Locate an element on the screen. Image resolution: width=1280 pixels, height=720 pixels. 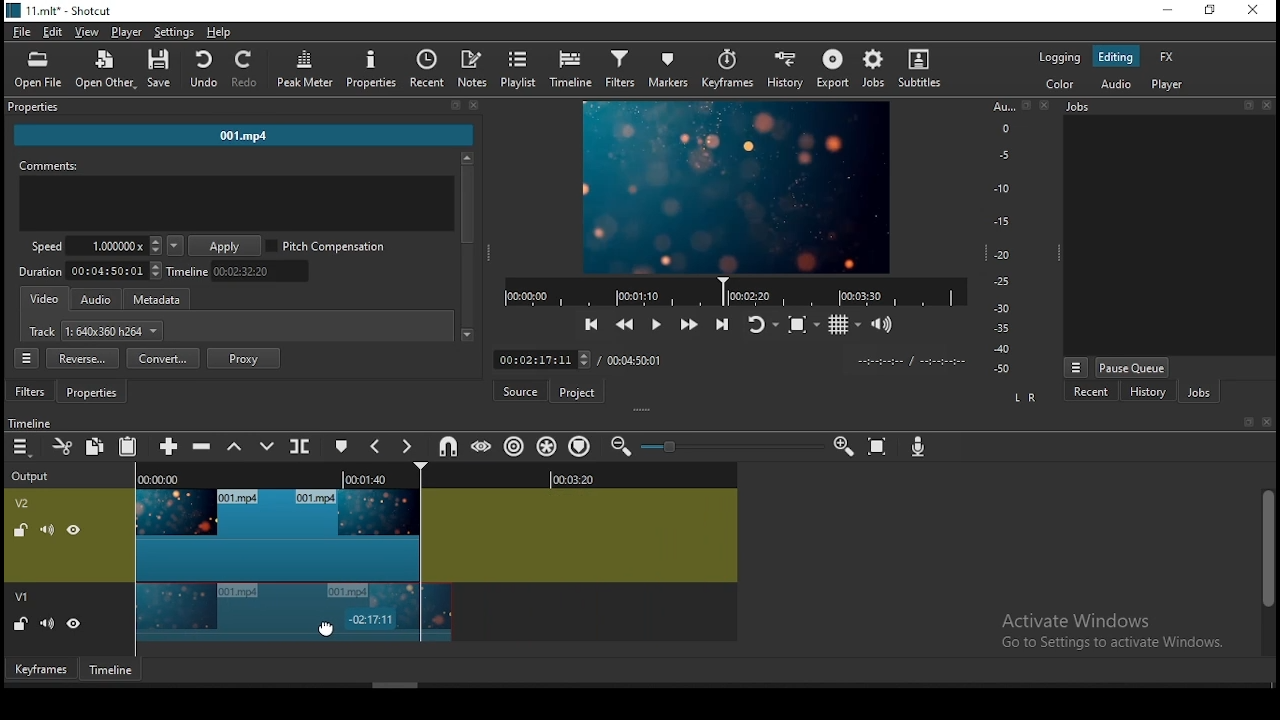
video is located at coordinates (46, 300).